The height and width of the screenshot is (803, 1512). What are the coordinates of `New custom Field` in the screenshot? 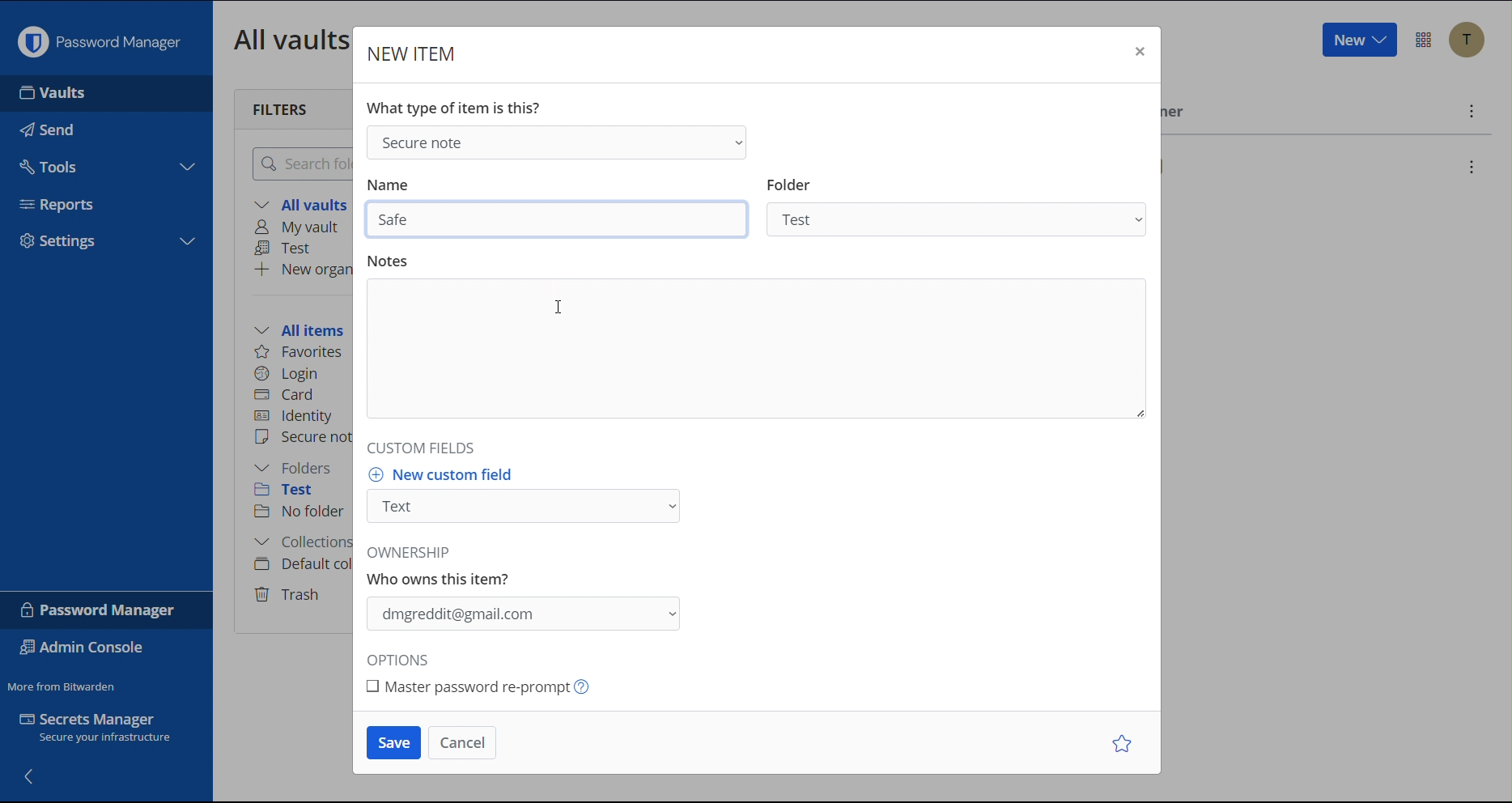 It's located at (525, 507).